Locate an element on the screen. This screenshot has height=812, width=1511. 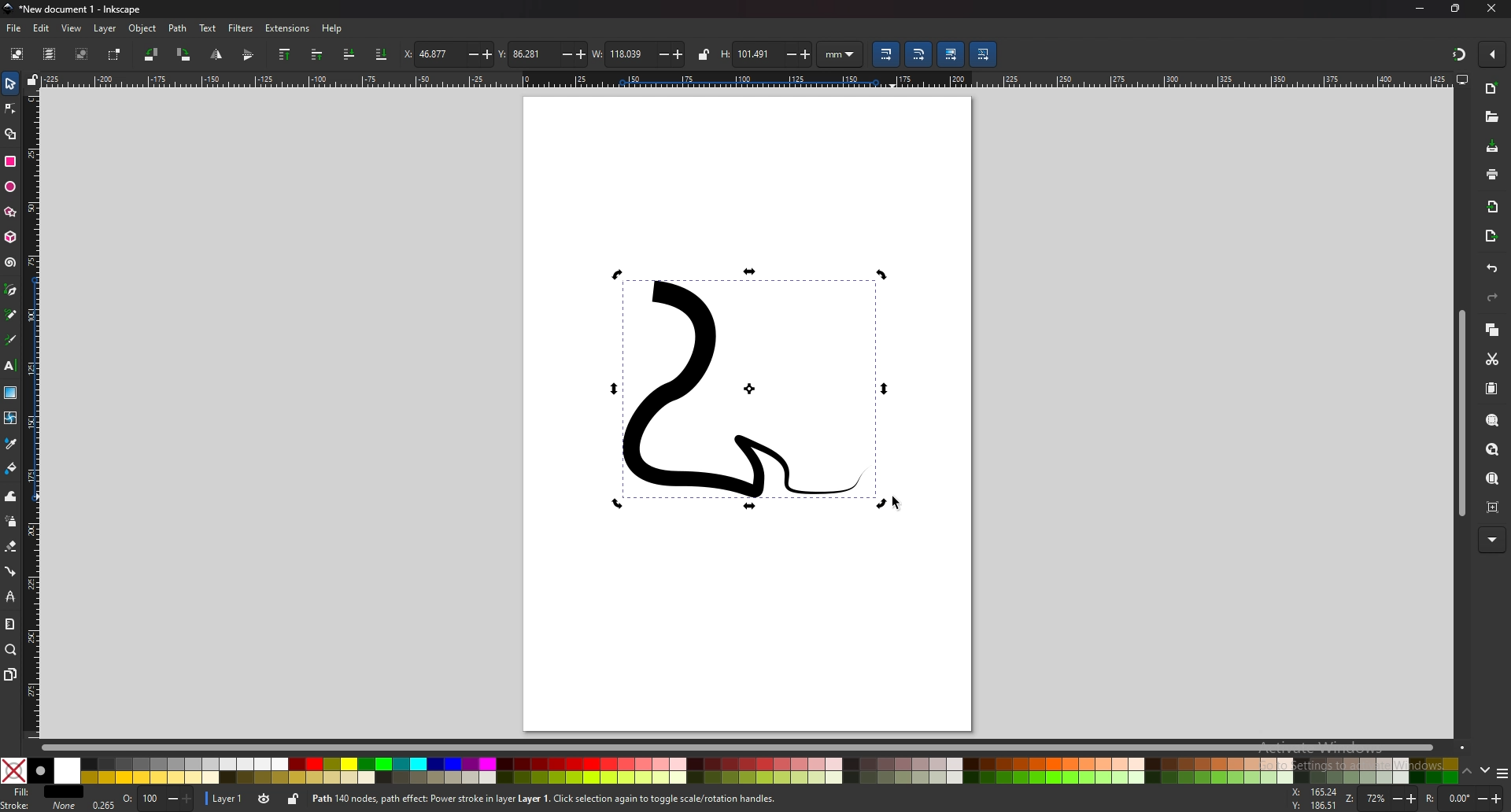
cut is located at coordinates (1492, 360).